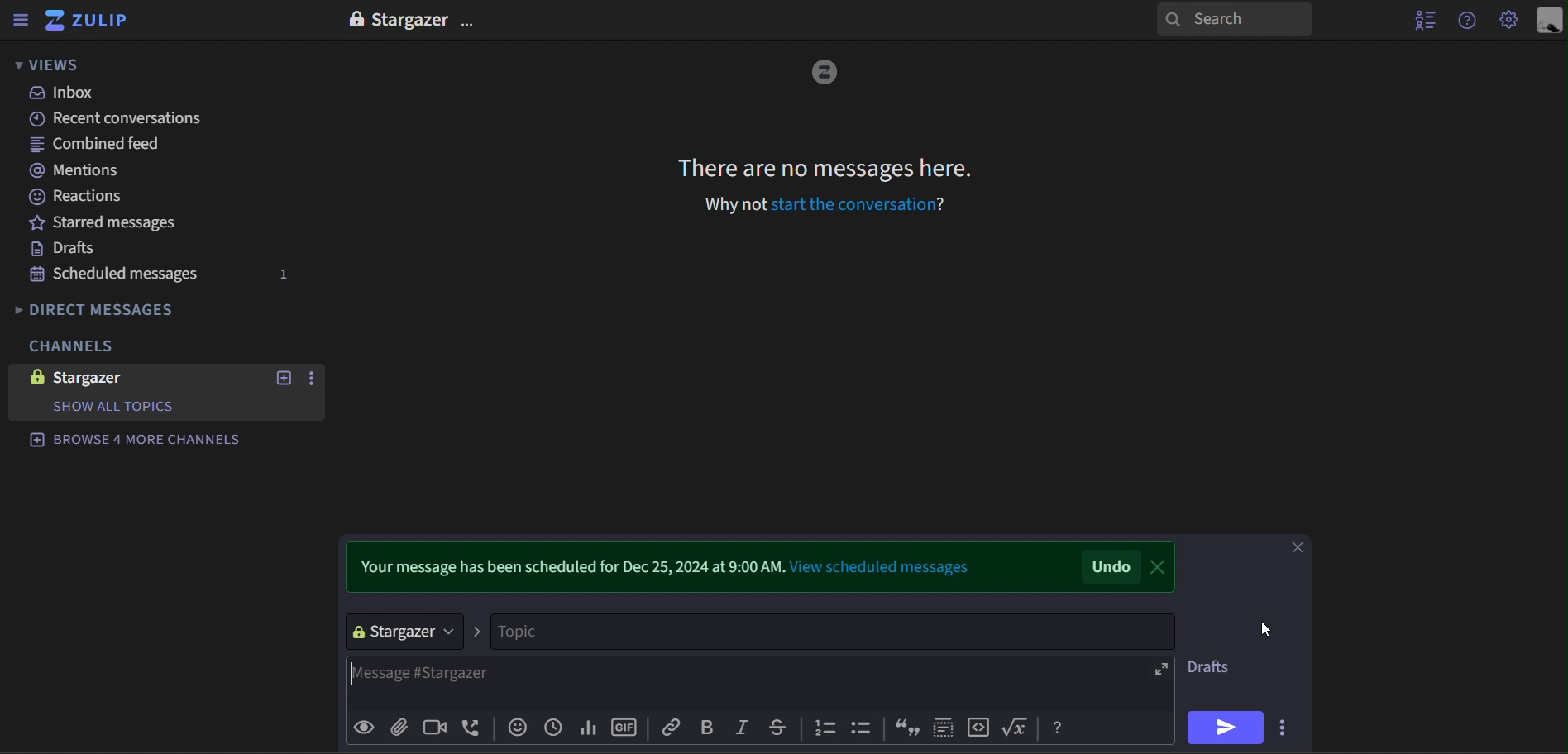 This screenshot has height=754, width=1568. Describe the element at coordinates (669, 728) in the screenshot. I see `Copy link` at that location.